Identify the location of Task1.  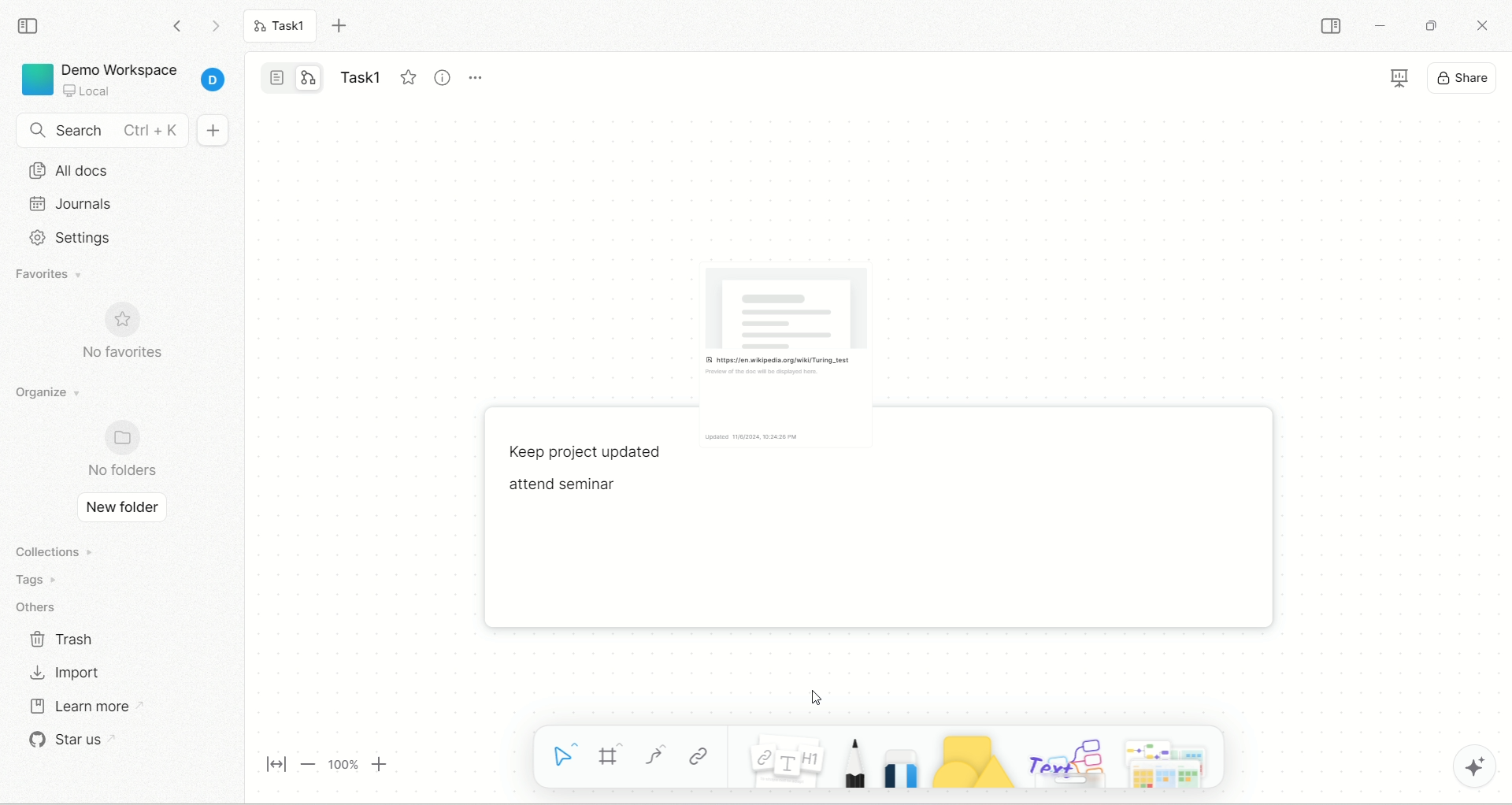
(285, 28).